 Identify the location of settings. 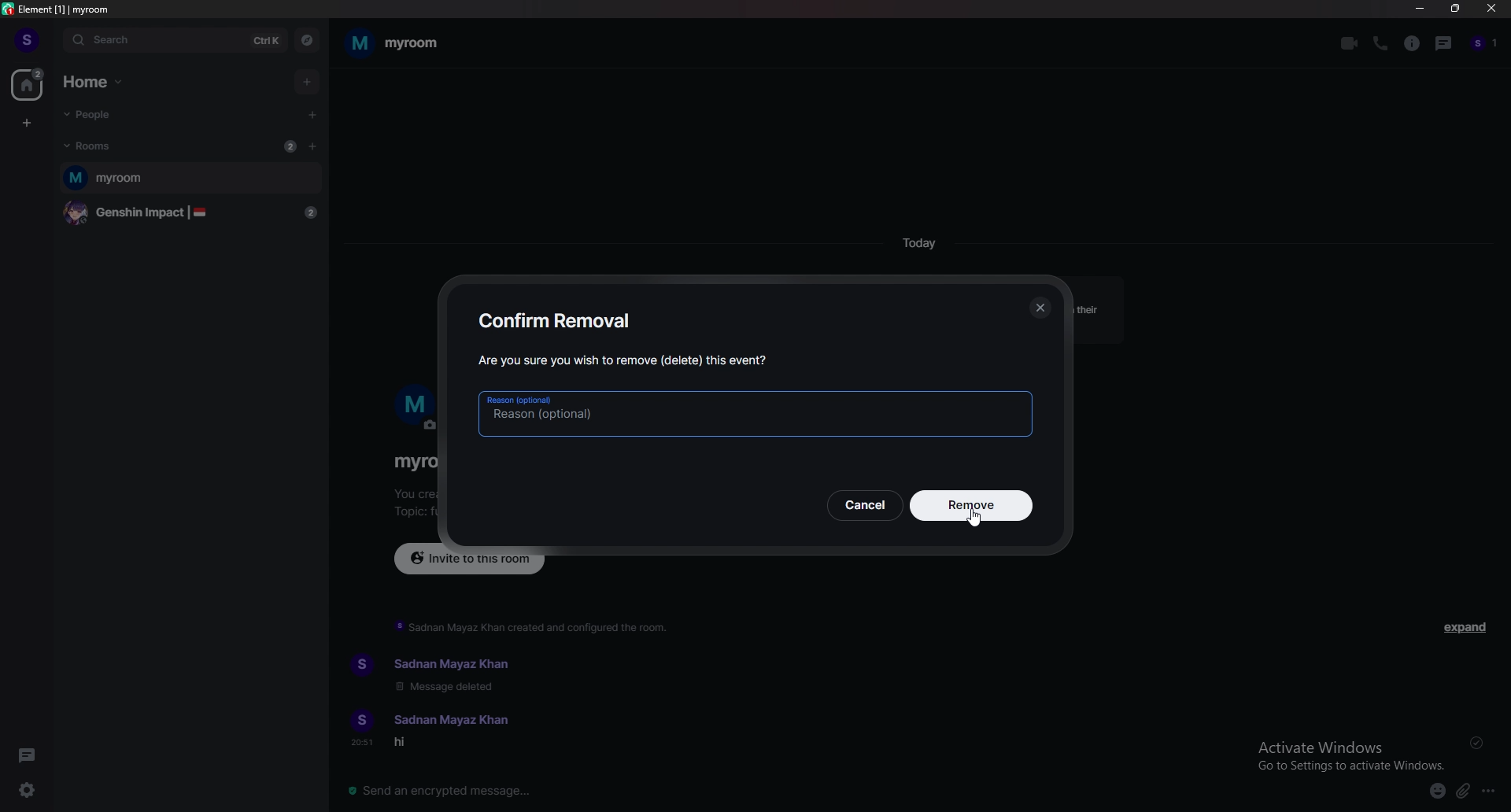
(27, 790).